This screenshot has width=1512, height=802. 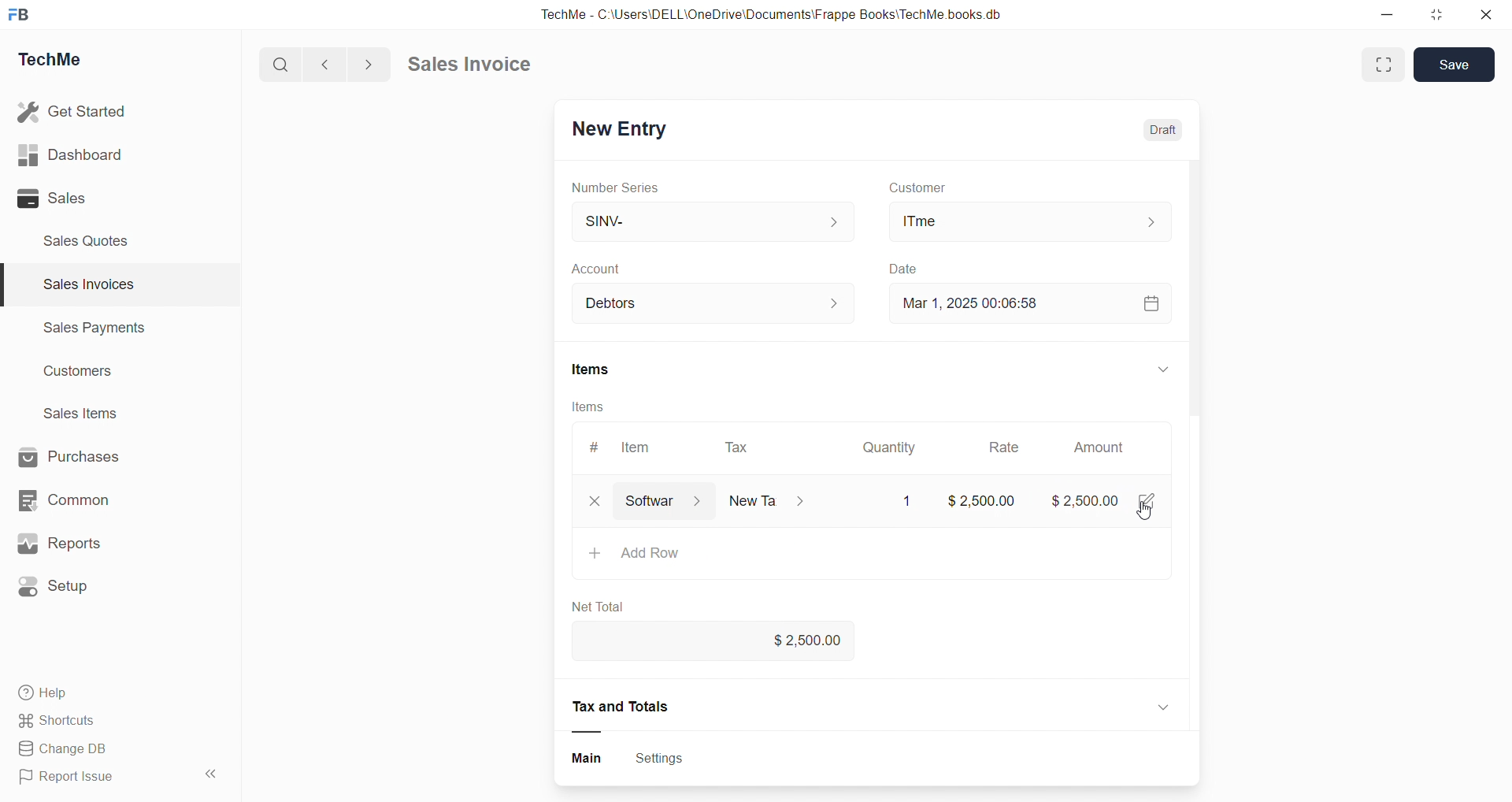 What do you see at coordinates (1161, 366) in the screenshot?
I see `doopdown` at bounding box center [1161, 366].